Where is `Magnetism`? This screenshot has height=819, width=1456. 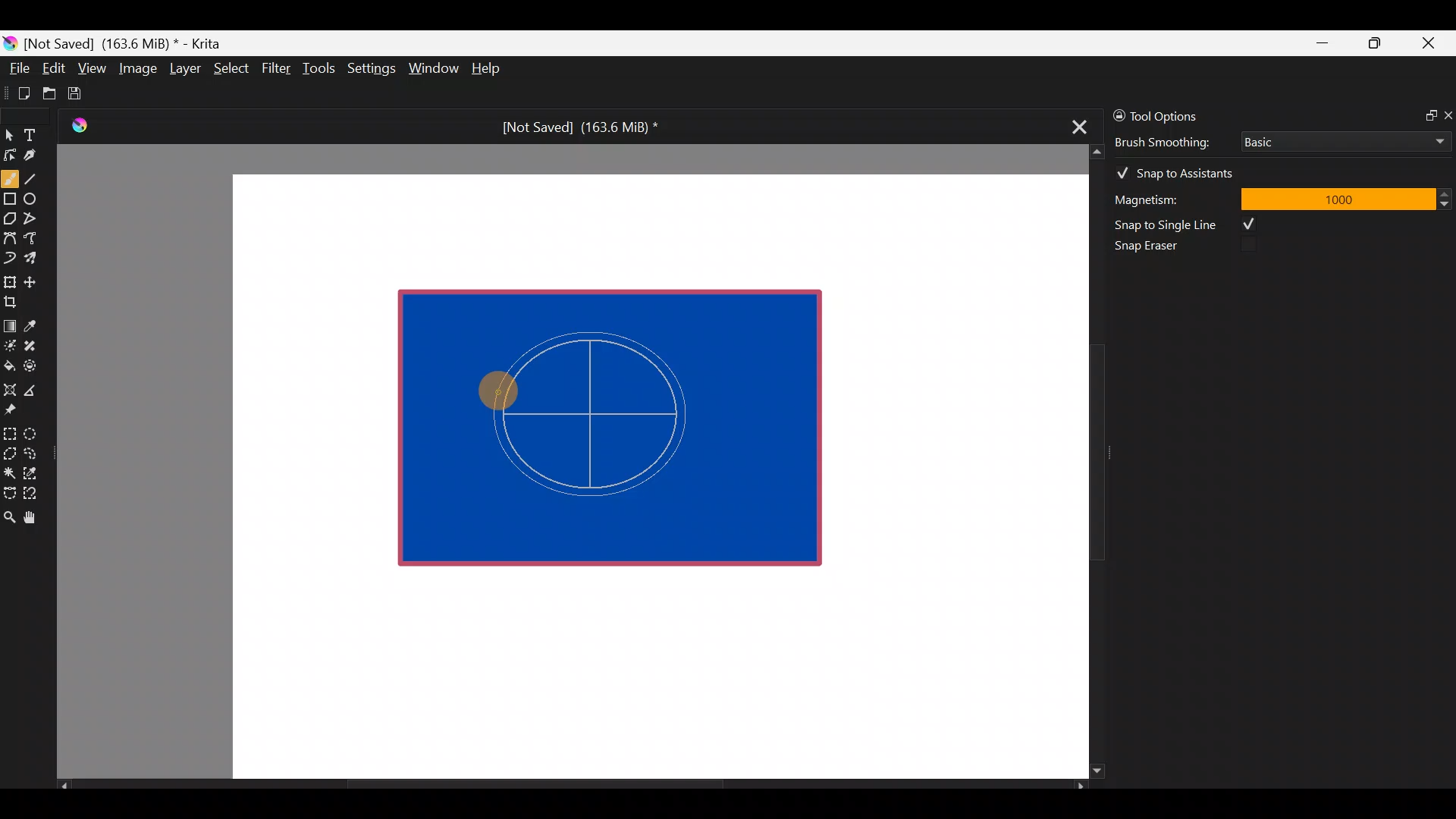 Magnetism is located at coordinates (1168, 197).